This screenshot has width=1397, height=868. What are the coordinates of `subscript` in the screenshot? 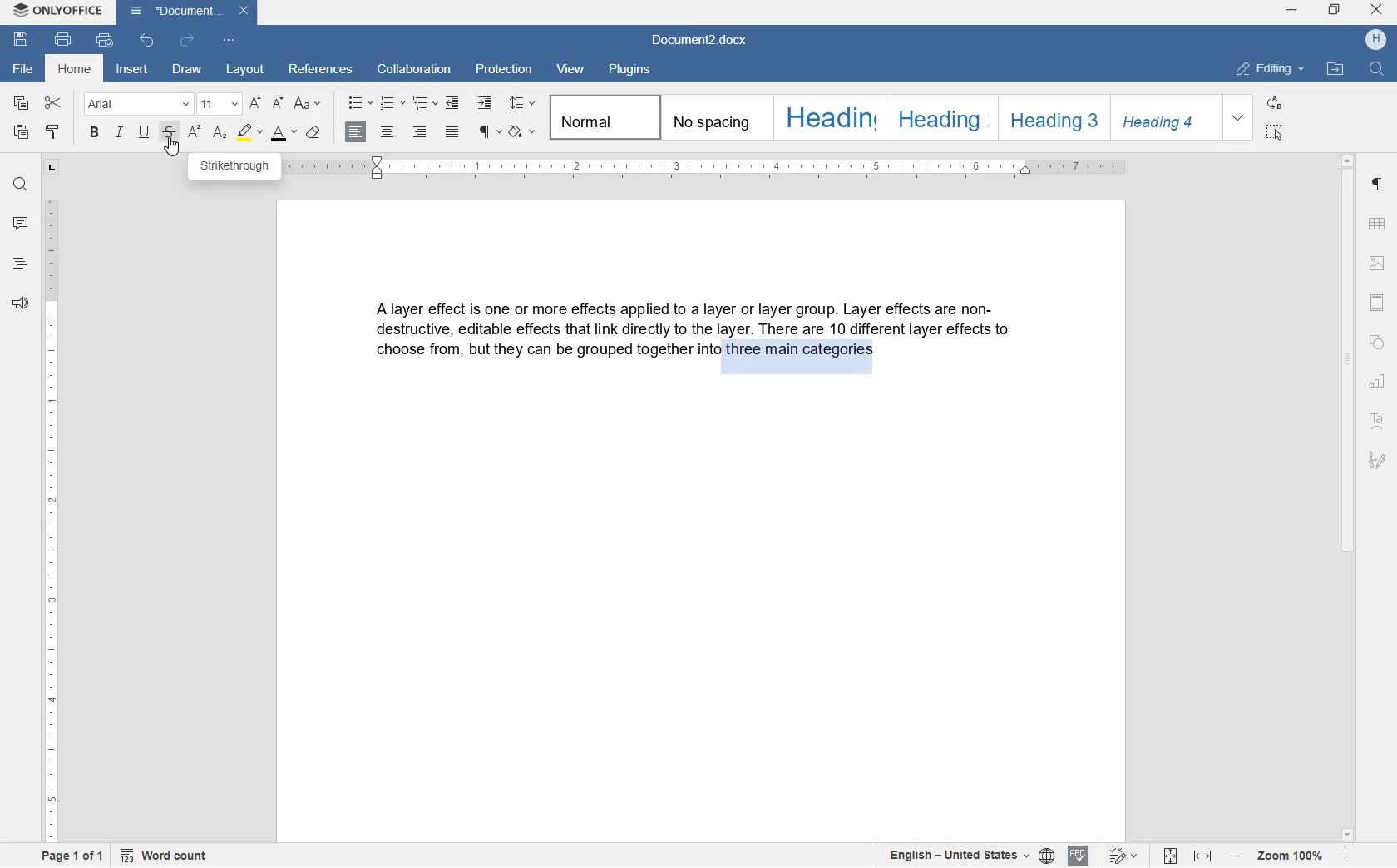 It's located at (221, 133).